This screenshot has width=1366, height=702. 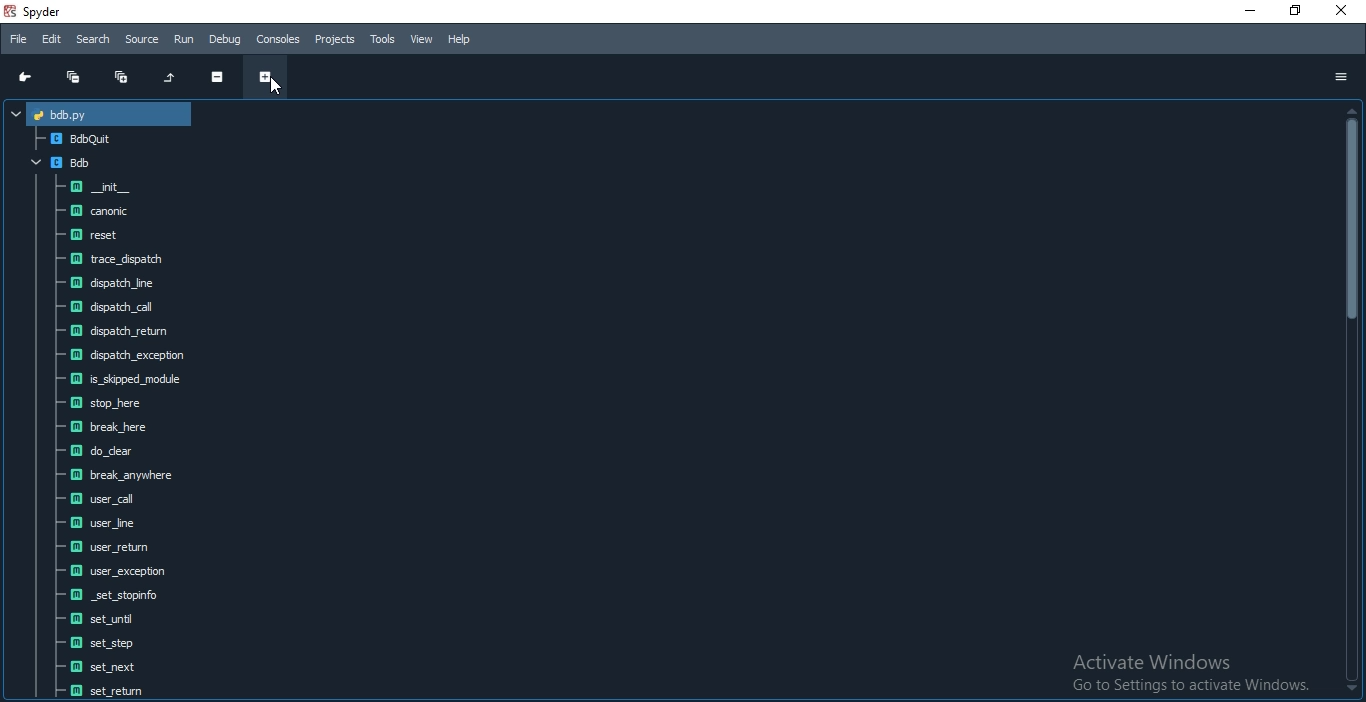 I want to click on Search, so click(x=94, y=38).